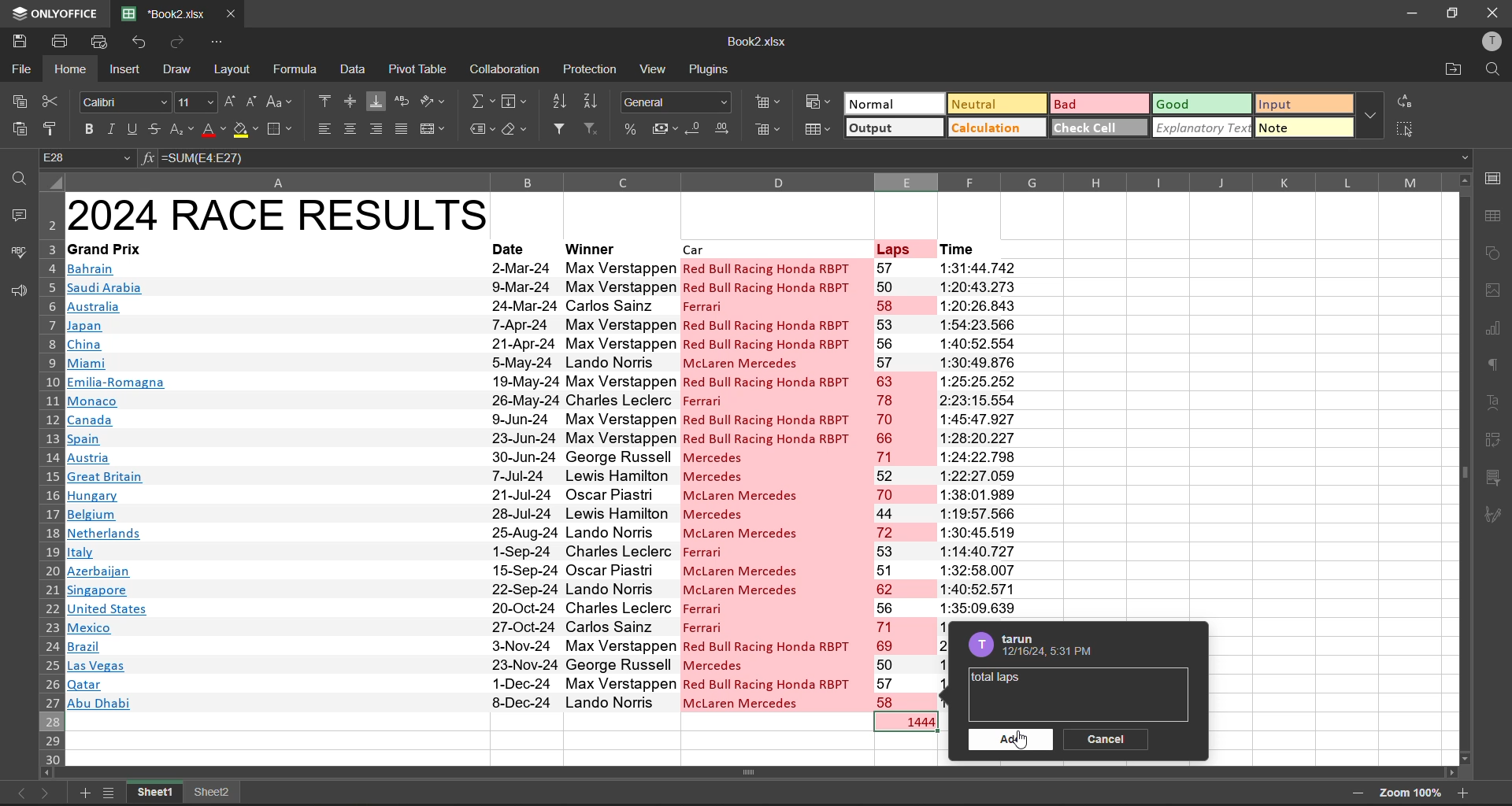 This screenshot has height=806, width=1512. Describe the element at coordinates (1054, 648) in the screenshot. I see `profile and timestamp` at that location.